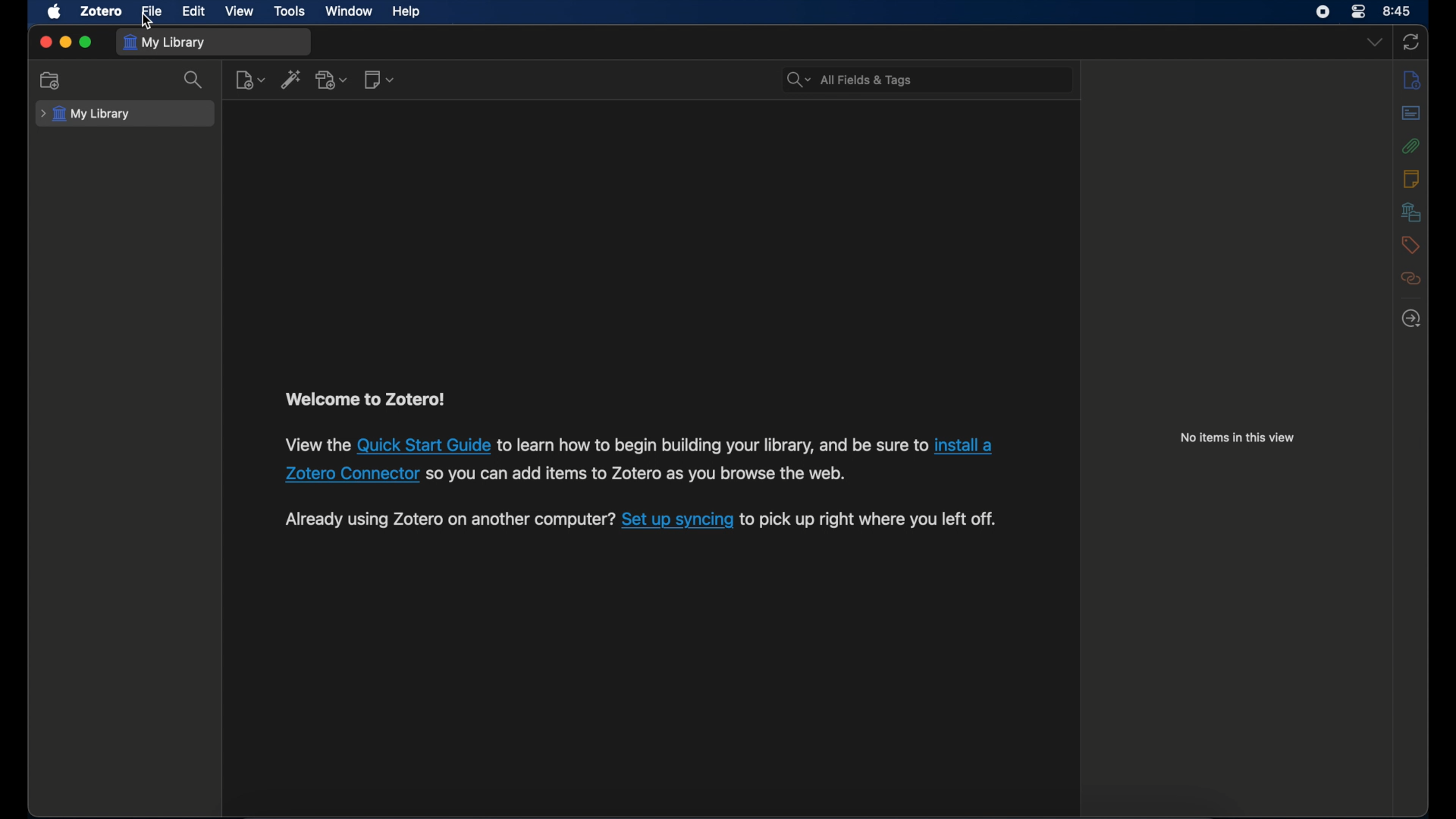 The height and width of the screenshot is (819, 1456). I want to click on welcome to zotero, so click(364, 400).